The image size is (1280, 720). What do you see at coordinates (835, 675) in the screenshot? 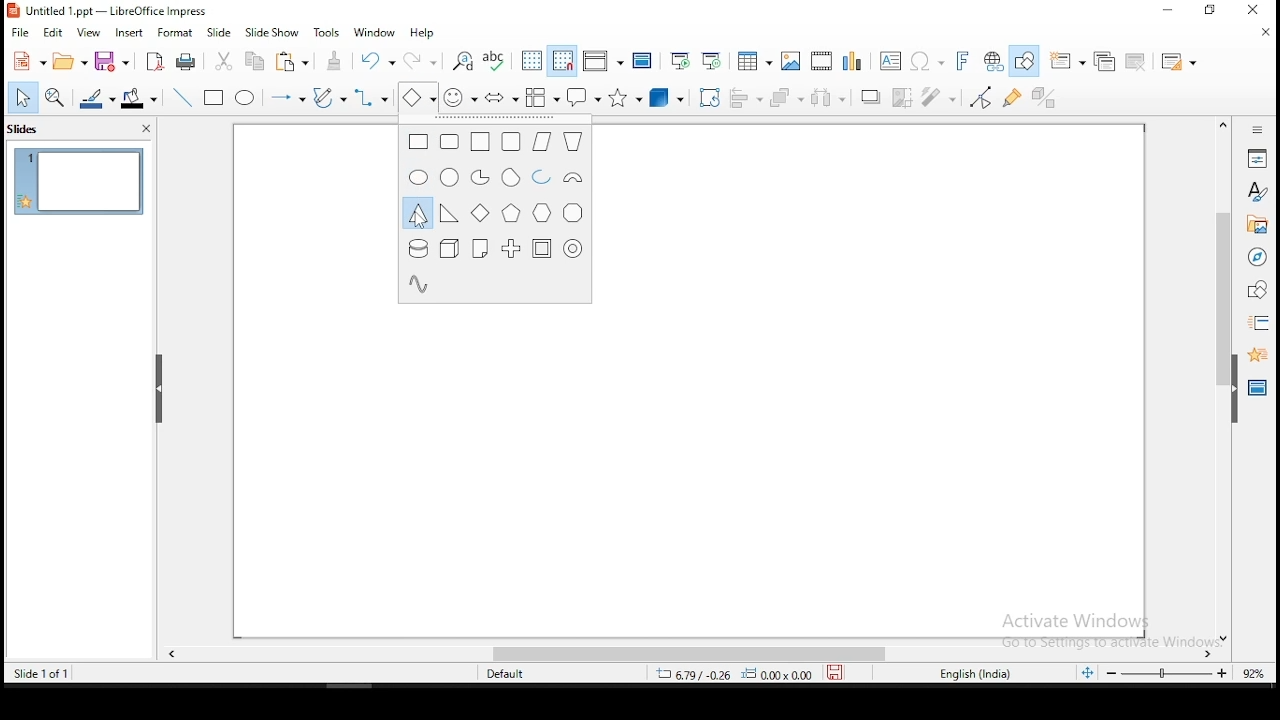
I see `save` at bounding box center [835, 675].